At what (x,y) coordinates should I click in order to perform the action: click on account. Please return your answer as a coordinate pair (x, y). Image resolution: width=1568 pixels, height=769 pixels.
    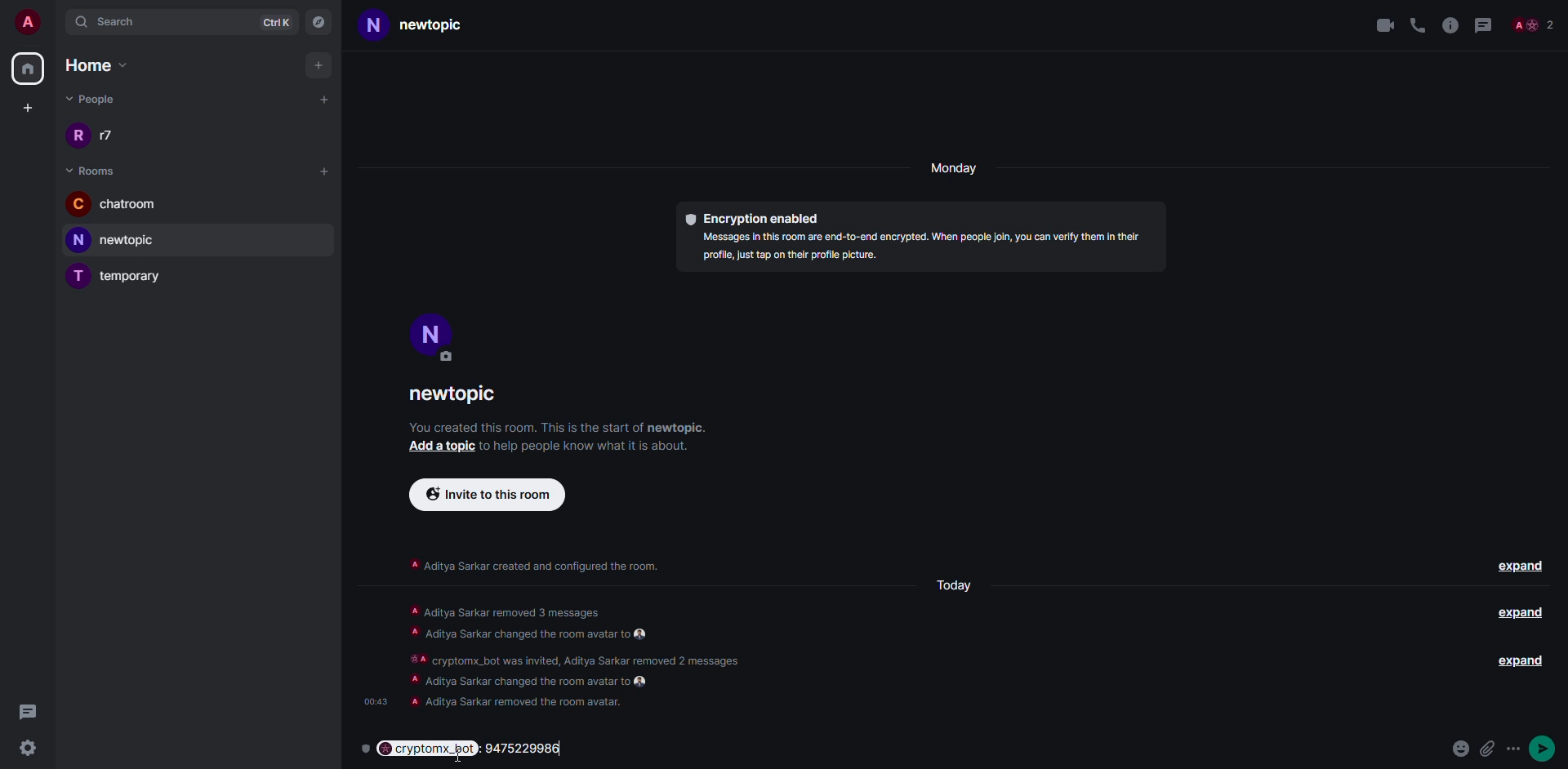
    Looking at the image, I should click on (29, 20).